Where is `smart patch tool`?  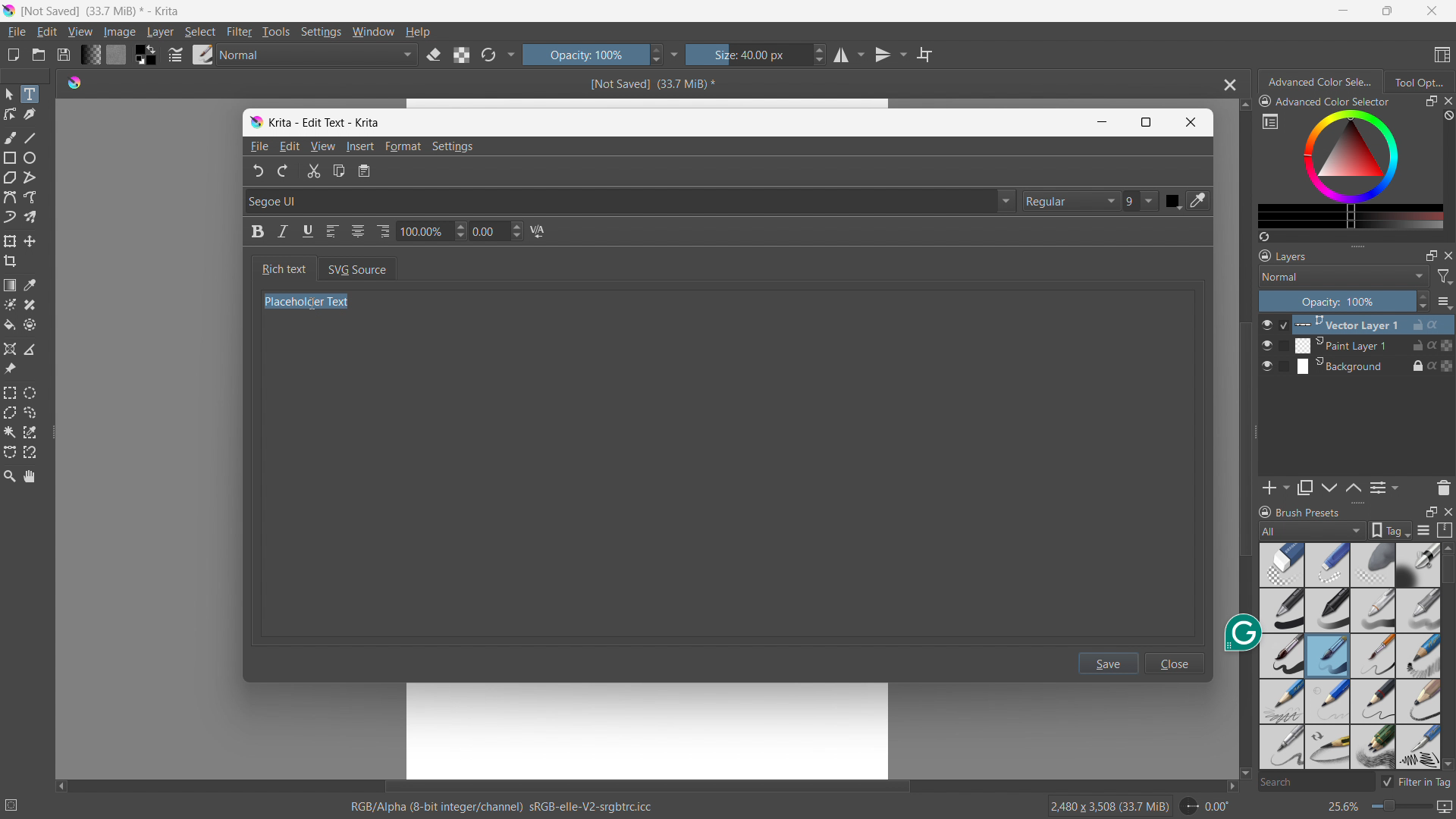 smart patch tool is located at coordinates (30, 305).